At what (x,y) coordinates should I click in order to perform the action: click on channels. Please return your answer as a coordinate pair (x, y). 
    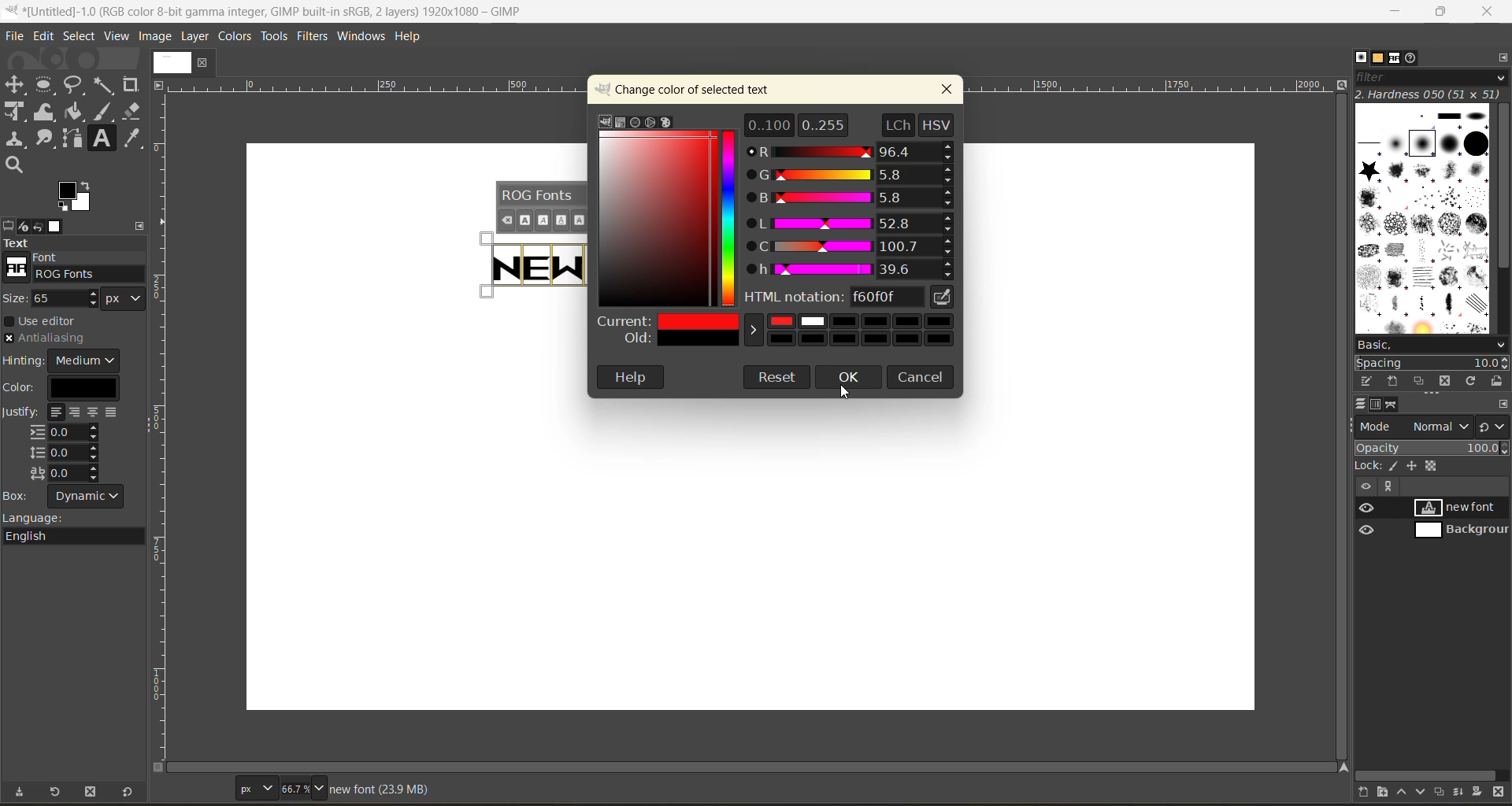
    Looking at the image, I should click on (1378, 406).